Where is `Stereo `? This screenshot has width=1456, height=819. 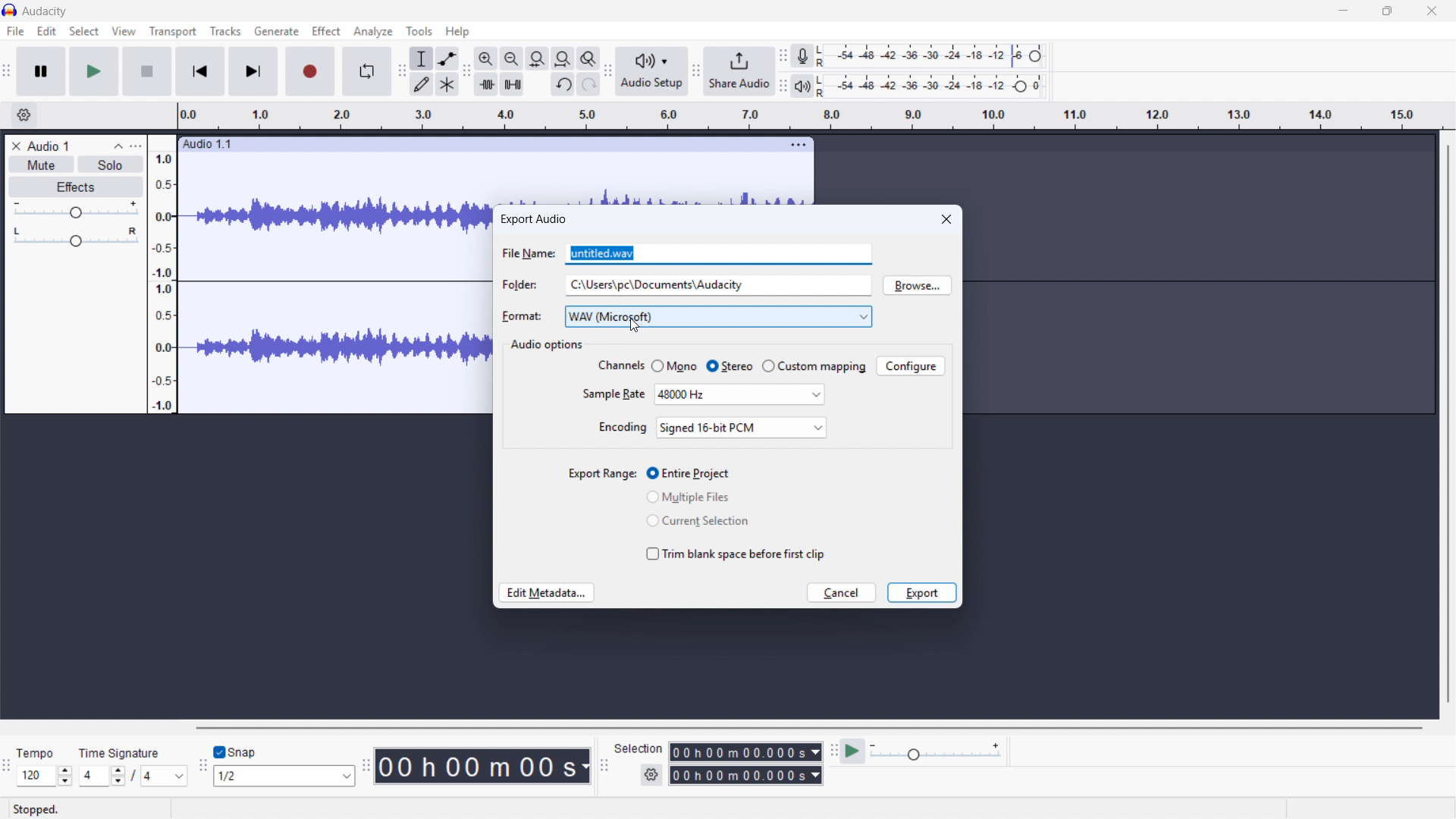 Stereo  is located at coordinates (730, 366).